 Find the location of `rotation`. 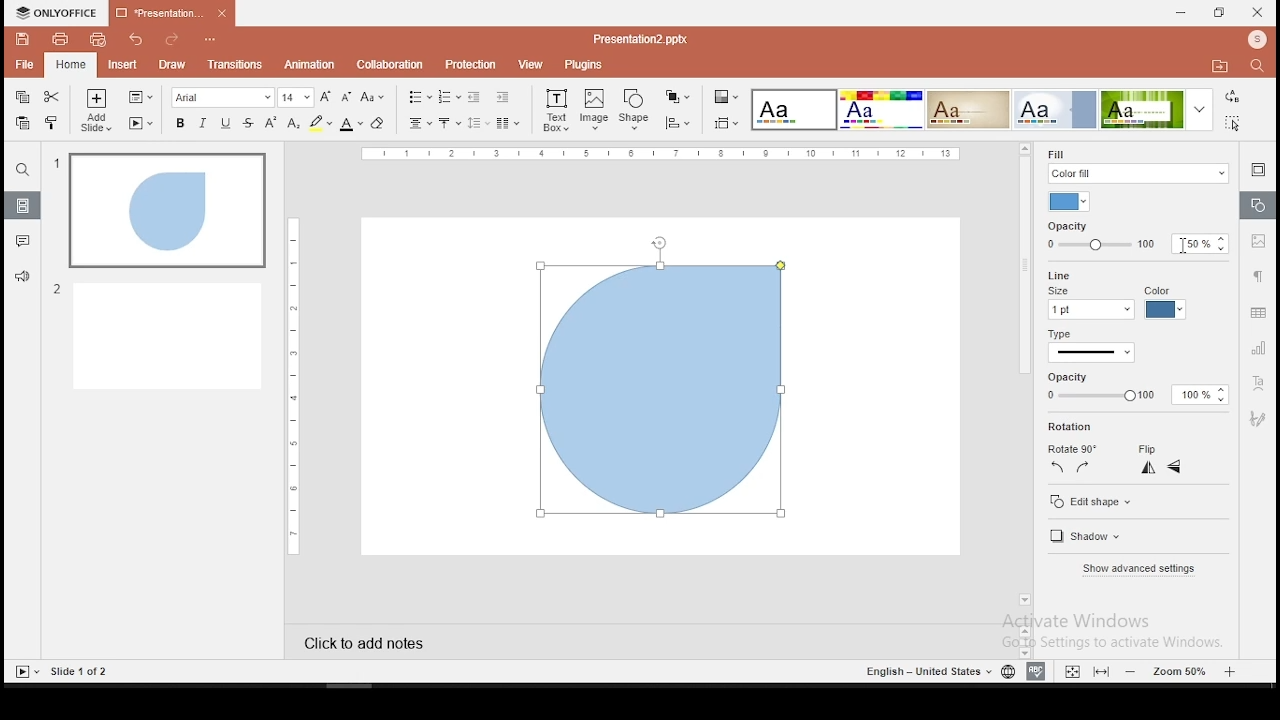

rotation is located at coordinates (1073, 427).